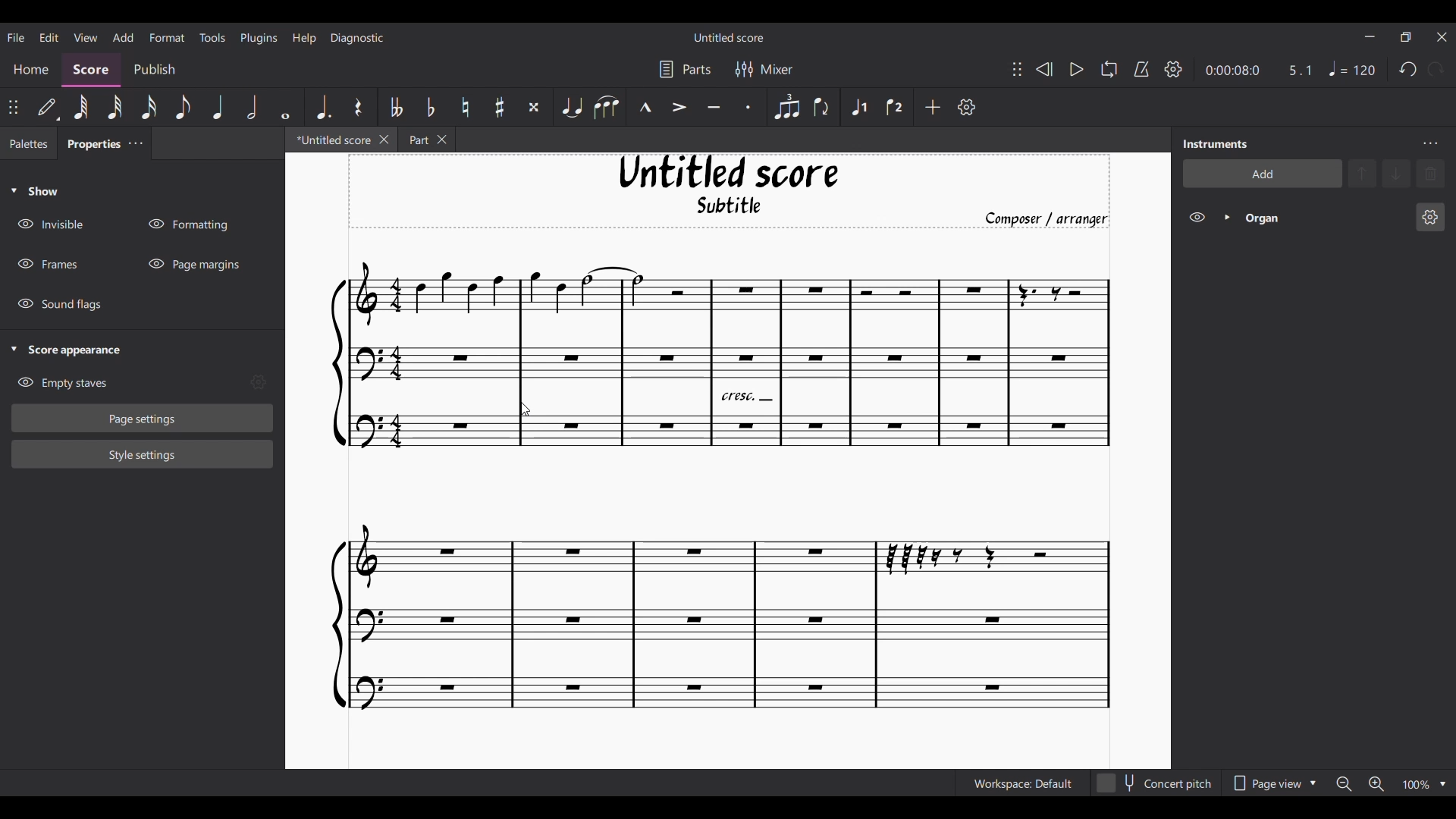 The image size is (1456, 819). I want to click on Voice 2, so click(896, 107).